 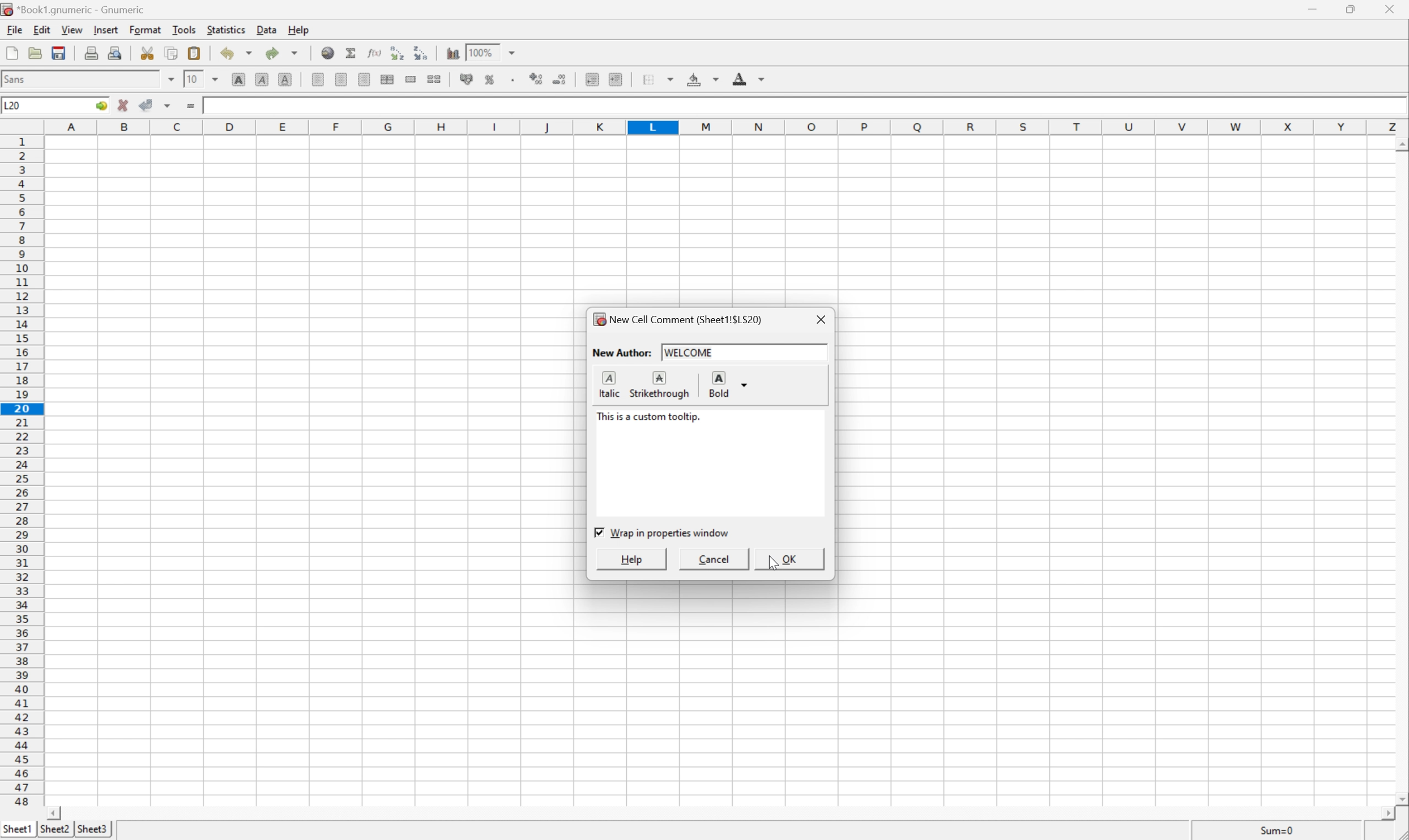 What do you see at coordinates (420, 52) in the screenshot?
I see `Sort the selected region in descending order based on the first column selected` at bounding box center [420, 52].